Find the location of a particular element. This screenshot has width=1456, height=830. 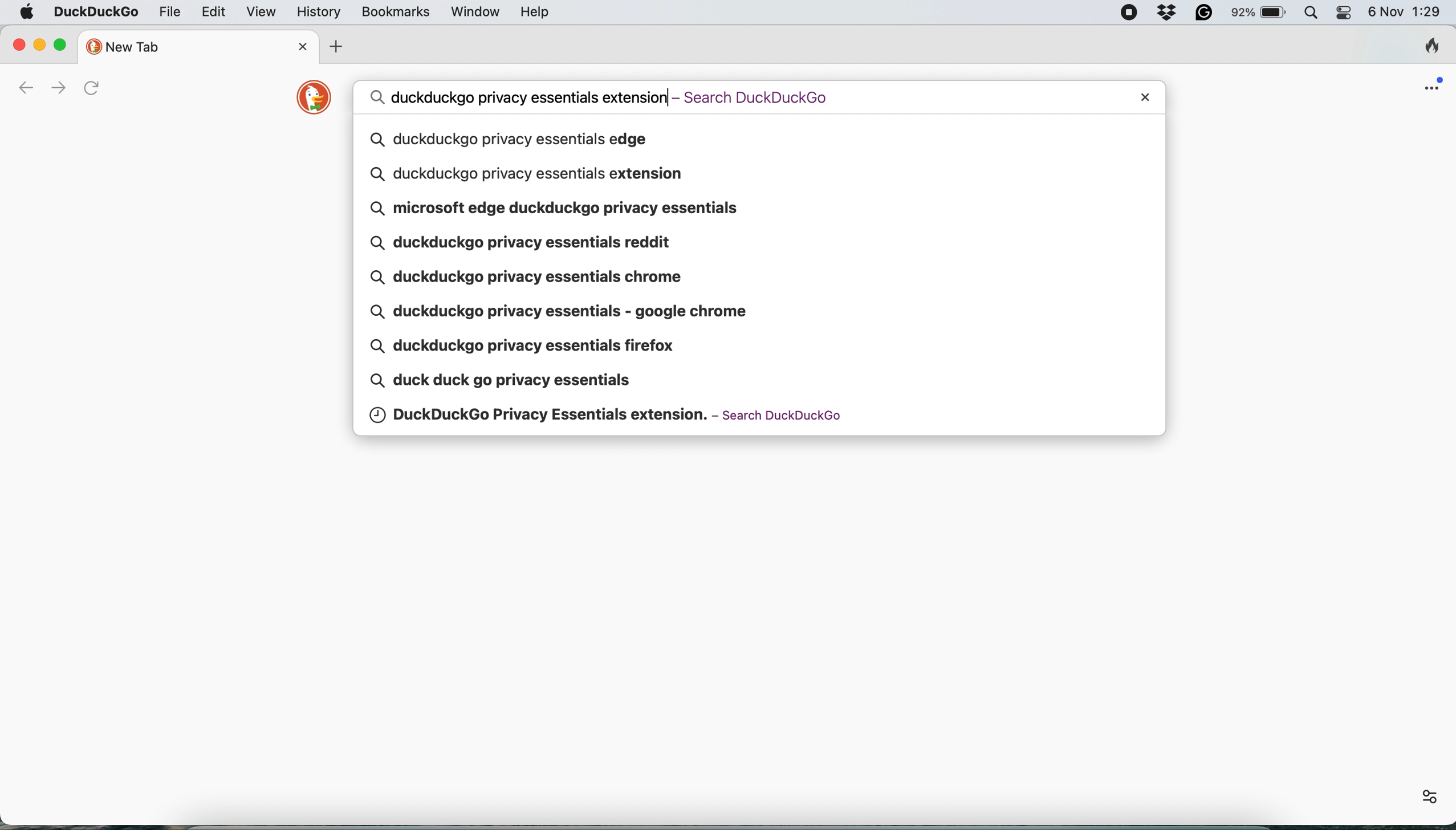

close is located at coordinates (306, 46).